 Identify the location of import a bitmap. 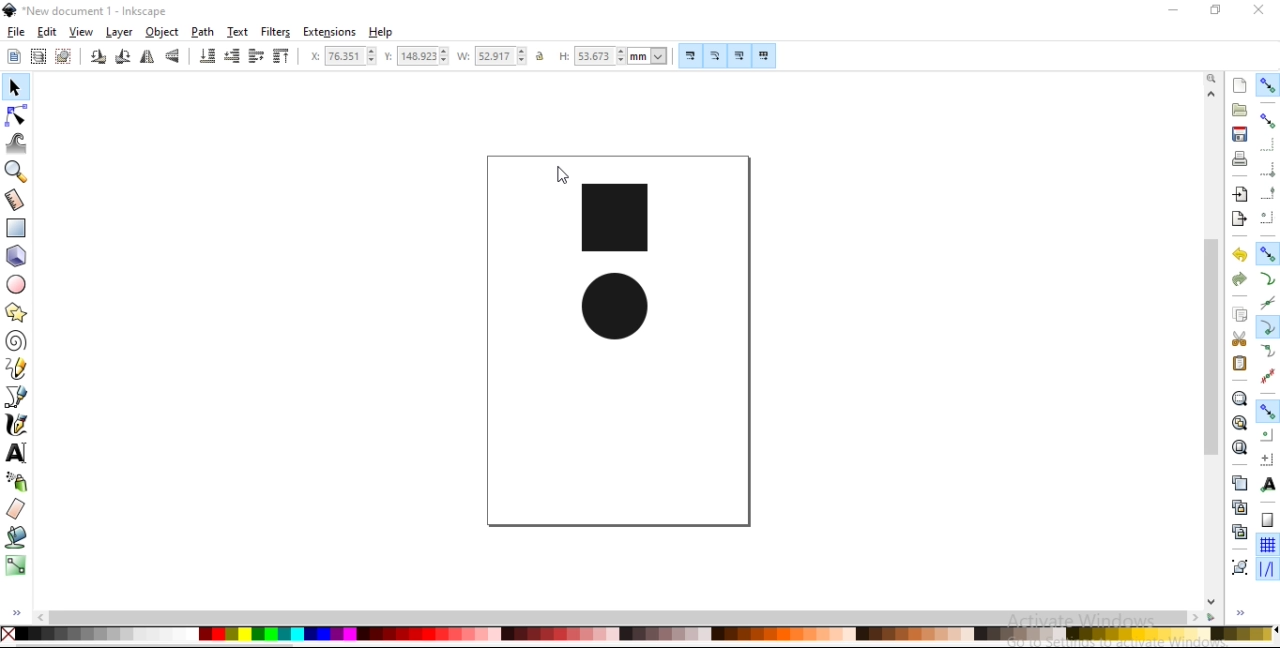
(1241, 194).